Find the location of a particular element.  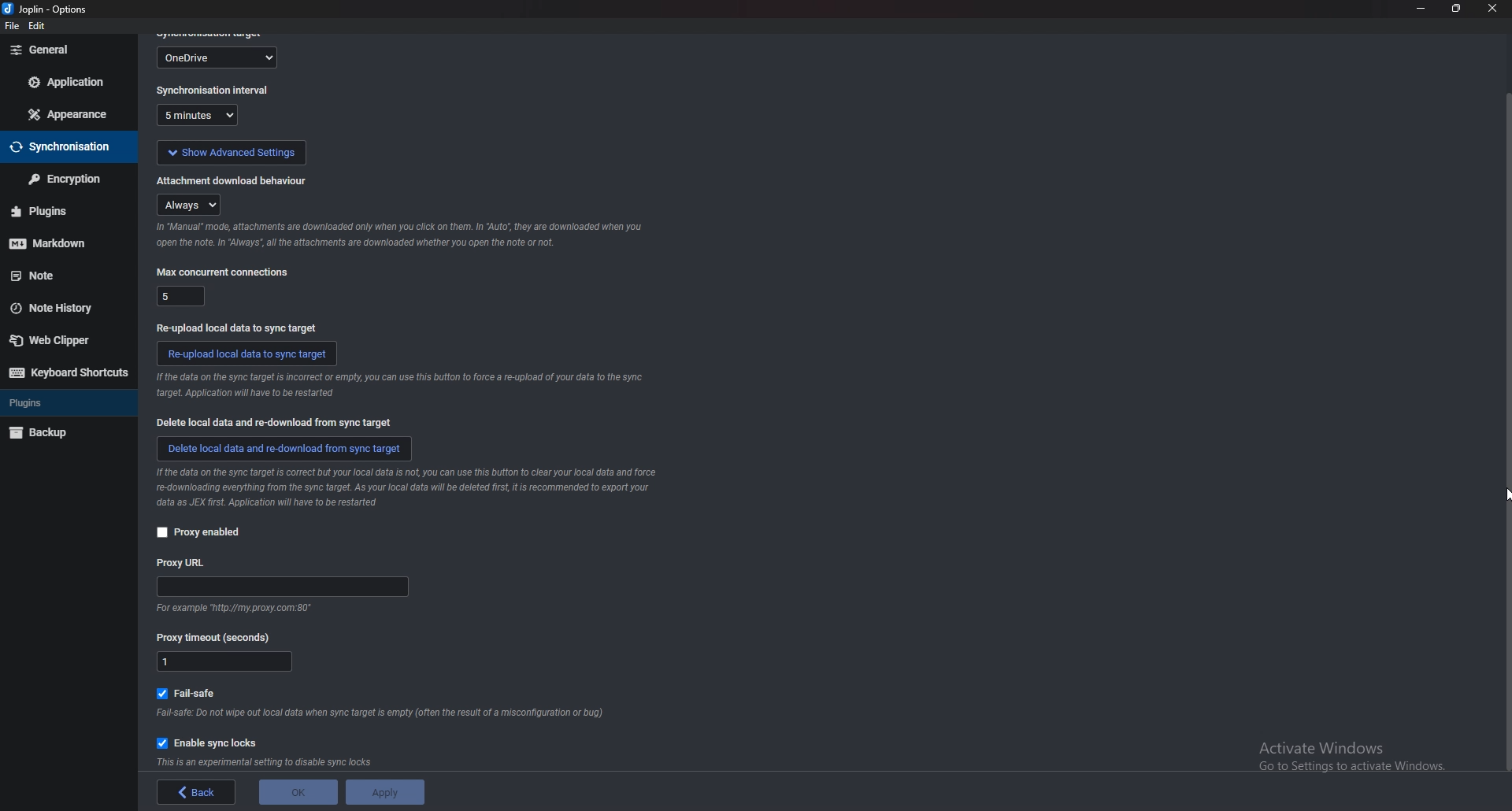

max concurrent connections is located at coordinates (222, 272).